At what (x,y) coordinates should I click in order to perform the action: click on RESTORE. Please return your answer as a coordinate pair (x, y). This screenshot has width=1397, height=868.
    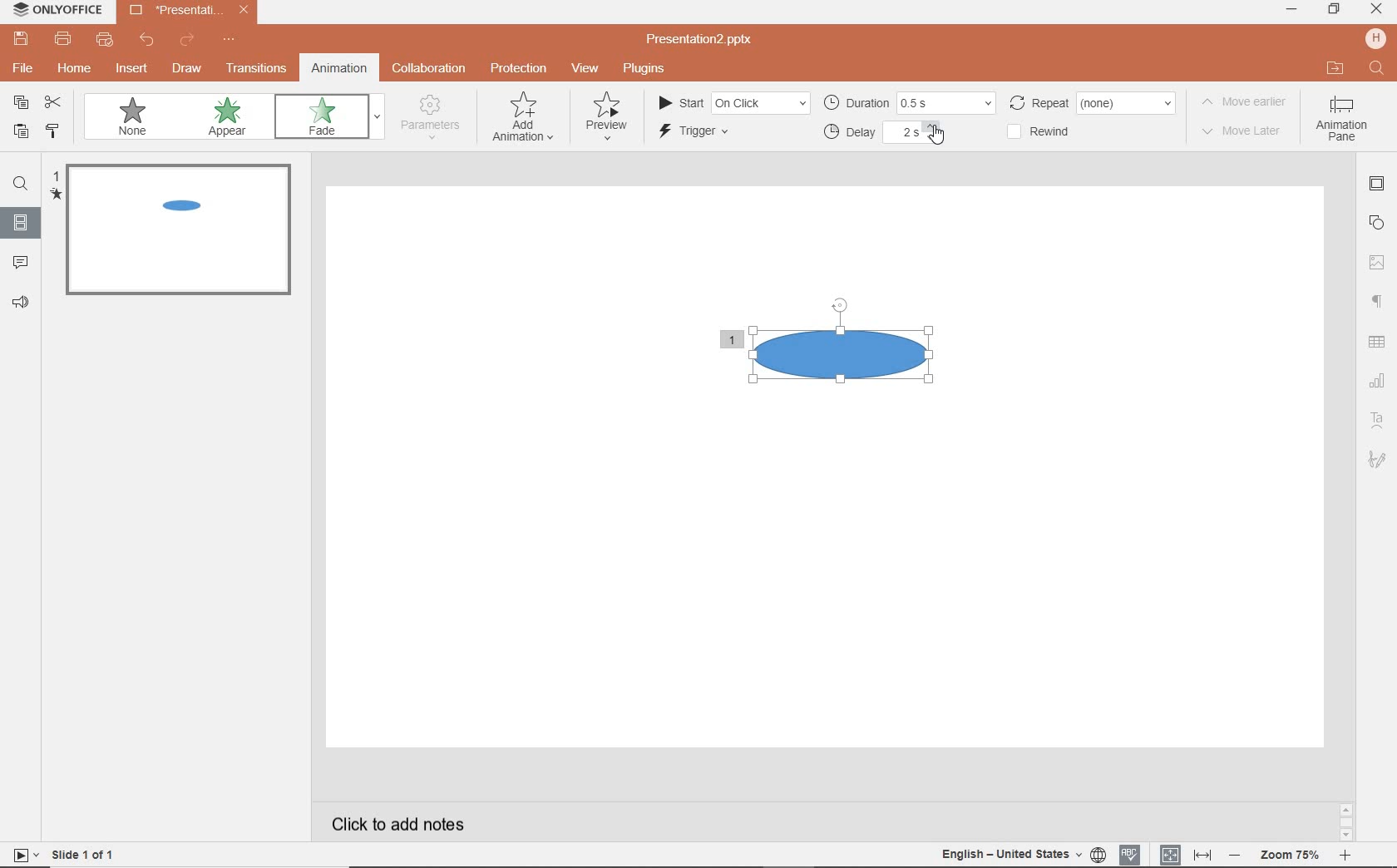
    Looking at the image, I should click on (1334, 11).